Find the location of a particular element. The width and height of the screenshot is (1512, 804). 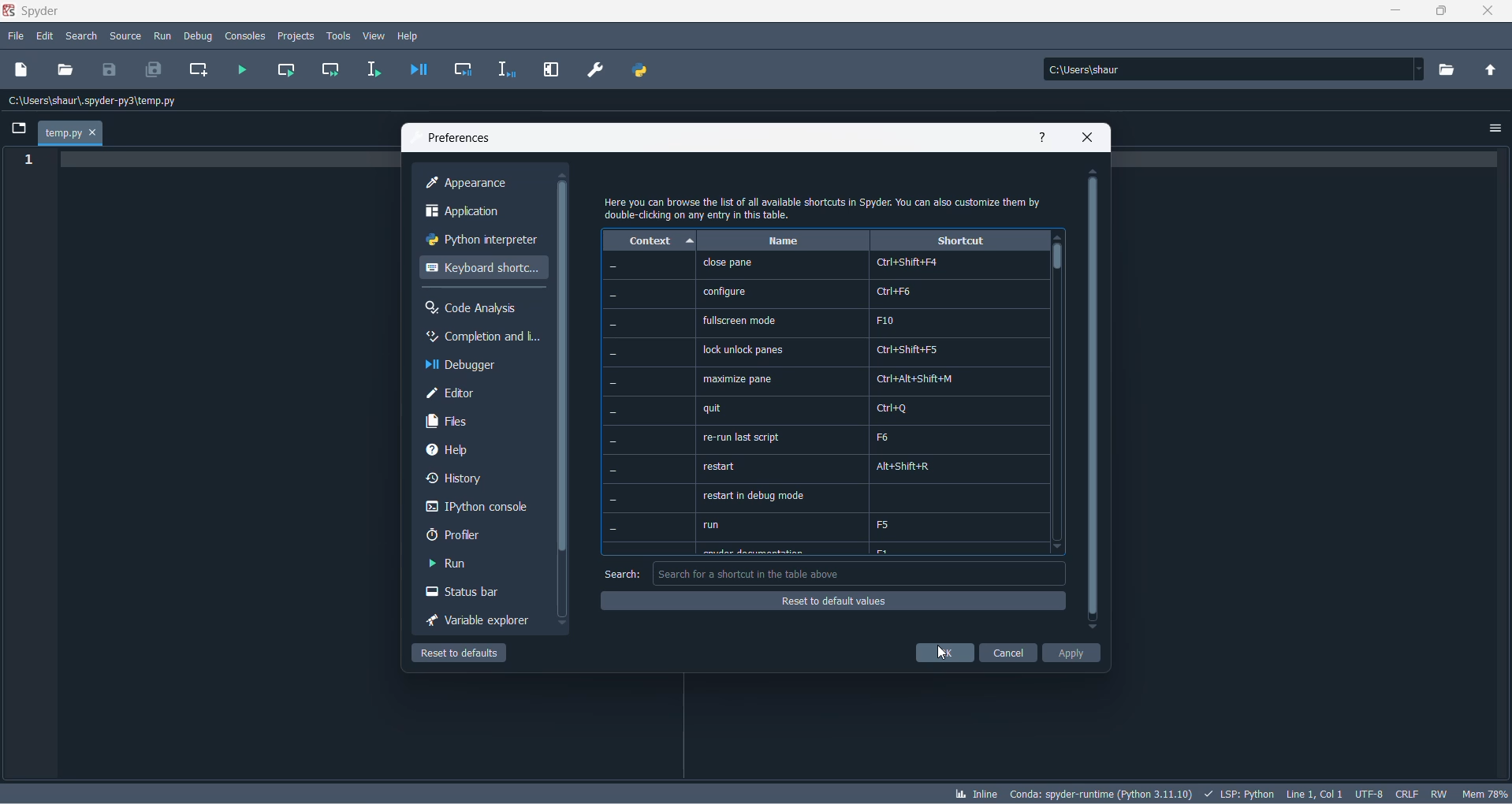

scrollbar is located at coordinates (566, 367).